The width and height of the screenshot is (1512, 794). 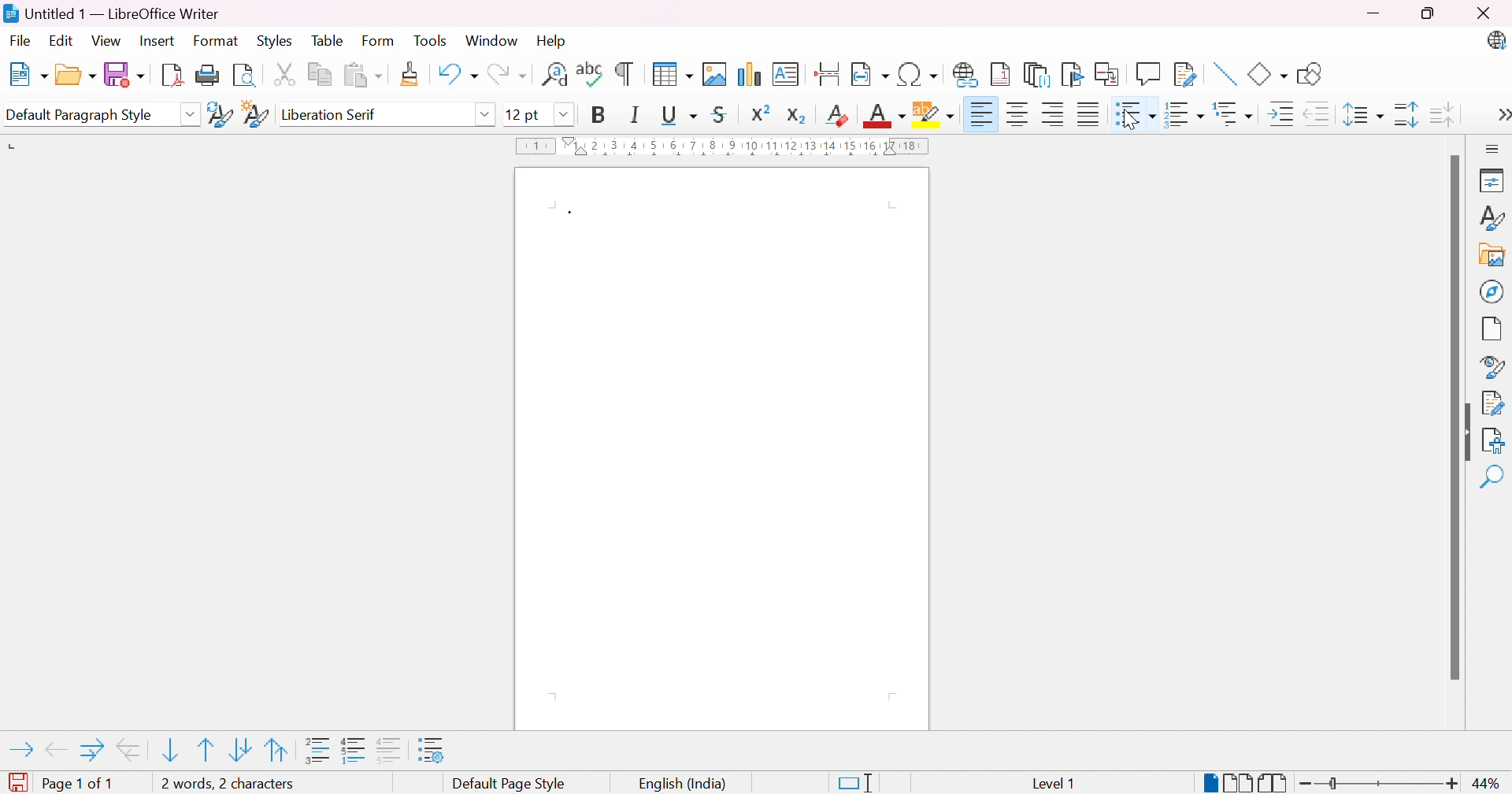 I want to click on Character highlighting color, so click(x=934, y=110).